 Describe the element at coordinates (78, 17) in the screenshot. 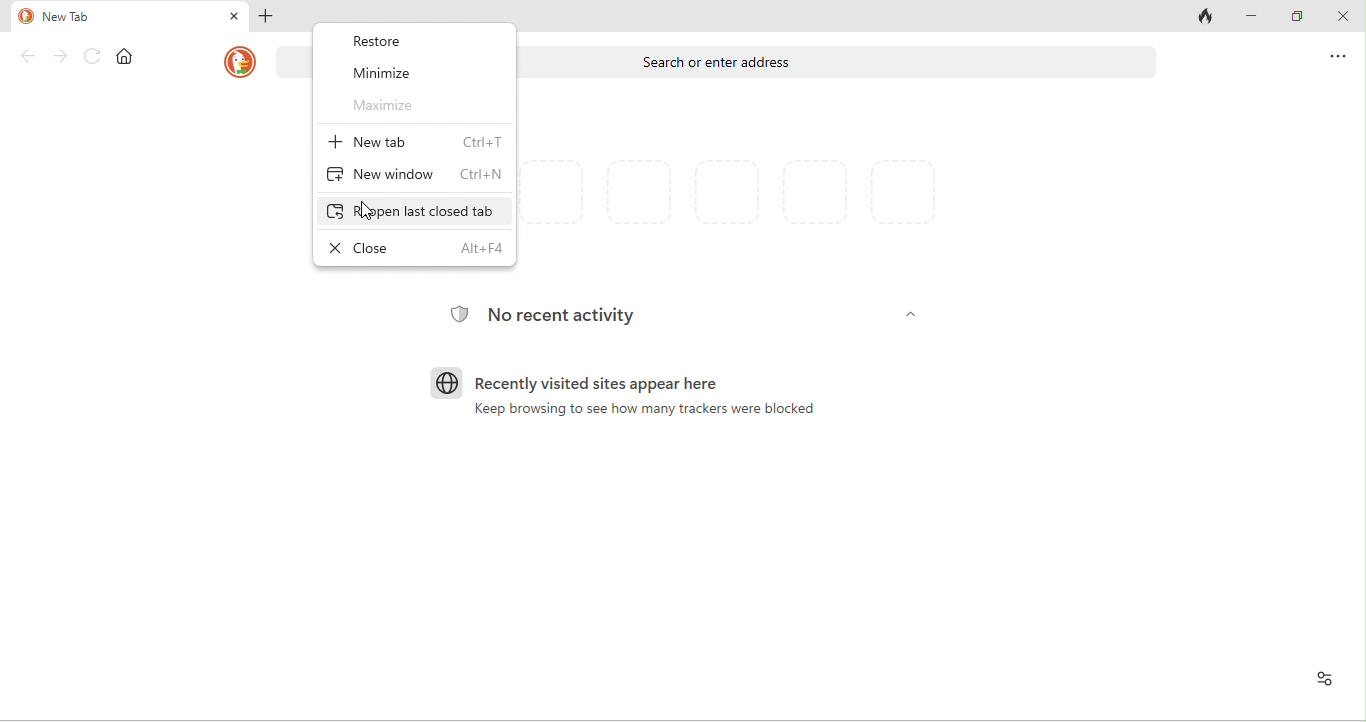

I see `new tab` at that location.